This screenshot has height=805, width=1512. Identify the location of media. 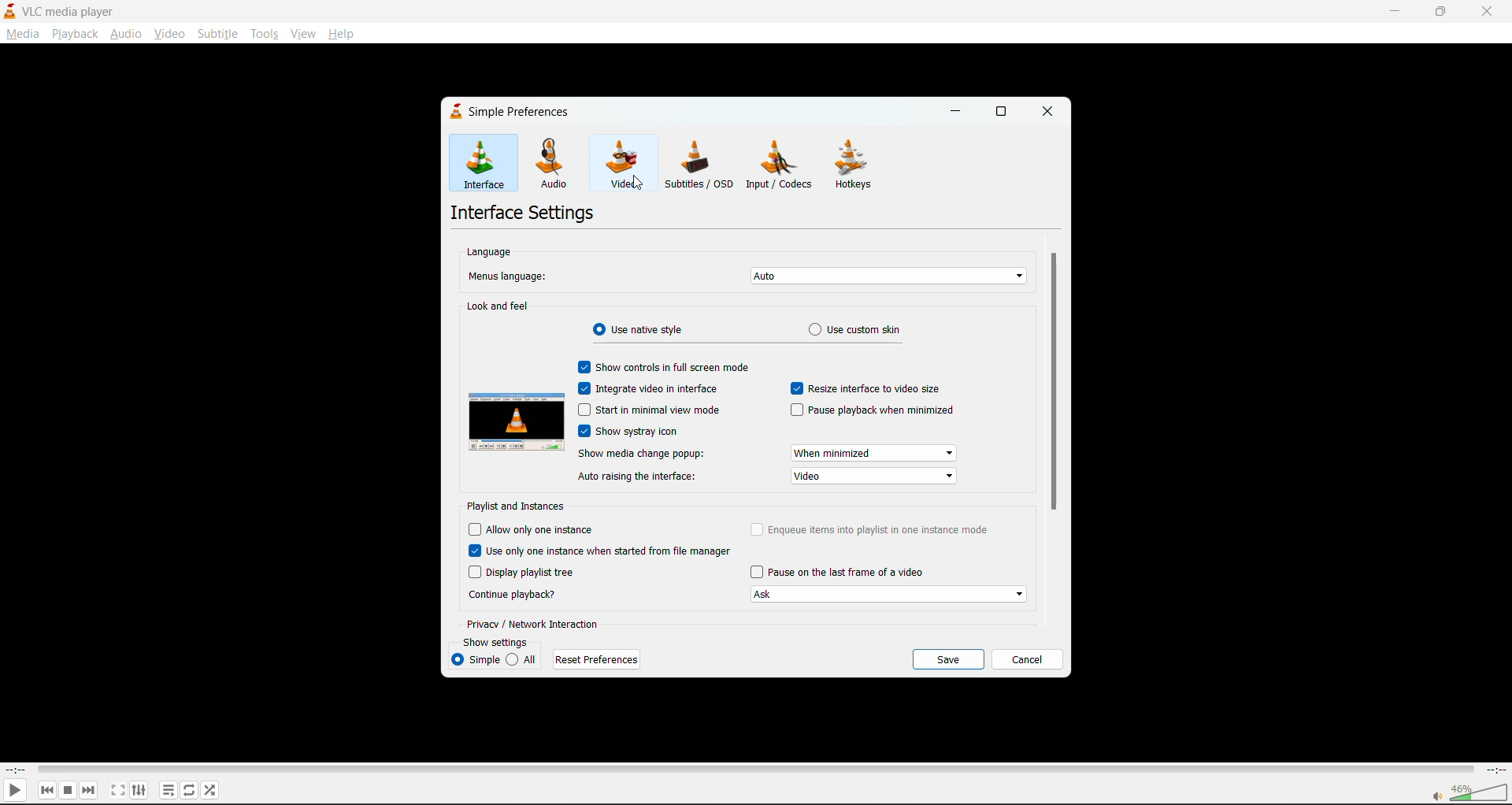
(20, 33).